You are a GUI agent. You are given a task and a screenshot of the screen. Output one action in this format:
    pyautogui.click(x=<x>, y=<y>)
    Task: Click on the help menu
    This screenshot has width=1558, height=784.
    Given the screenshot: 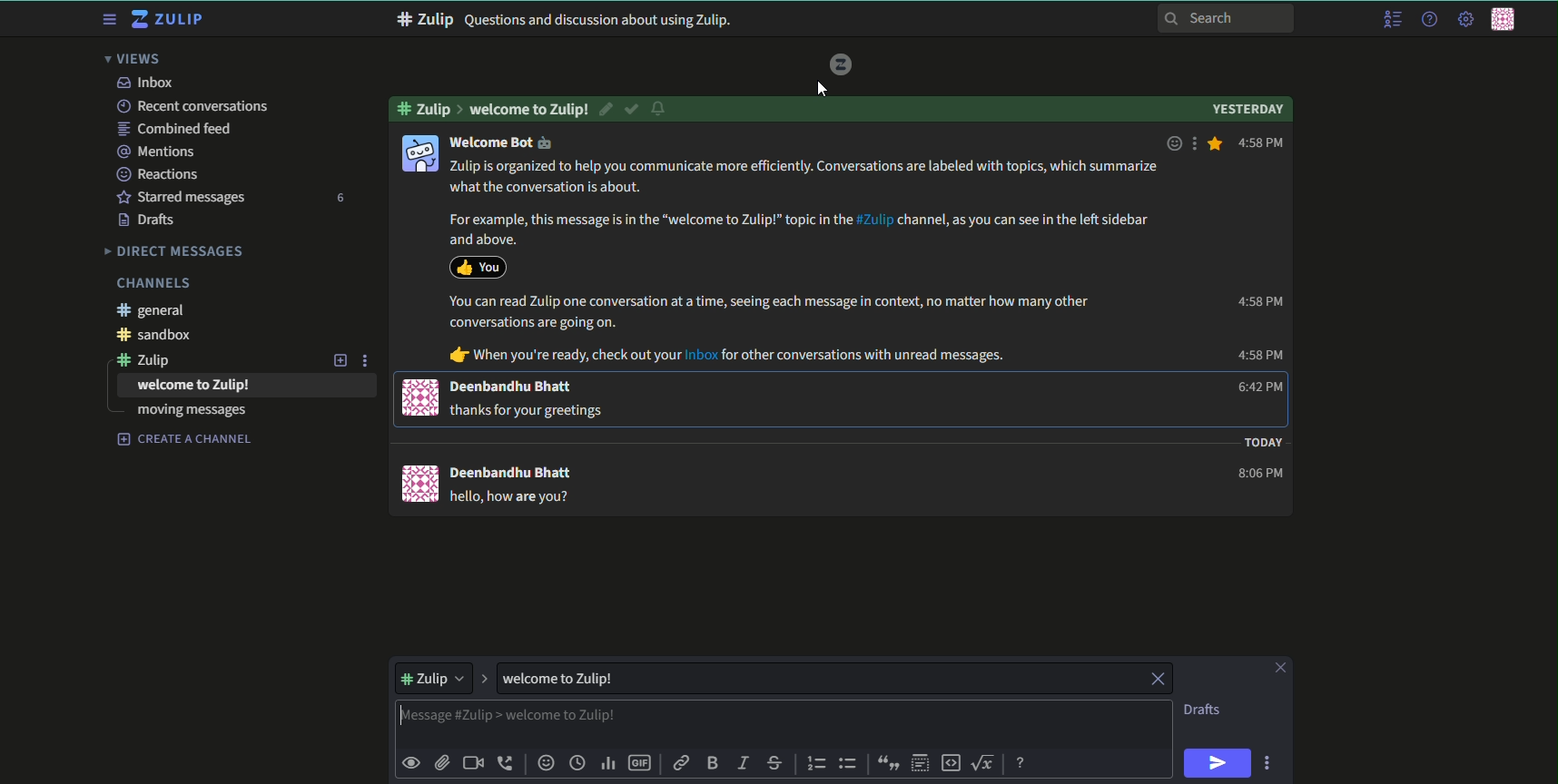 What is the action you would take?
    pyautogui.click(x=1427, y=20)
    